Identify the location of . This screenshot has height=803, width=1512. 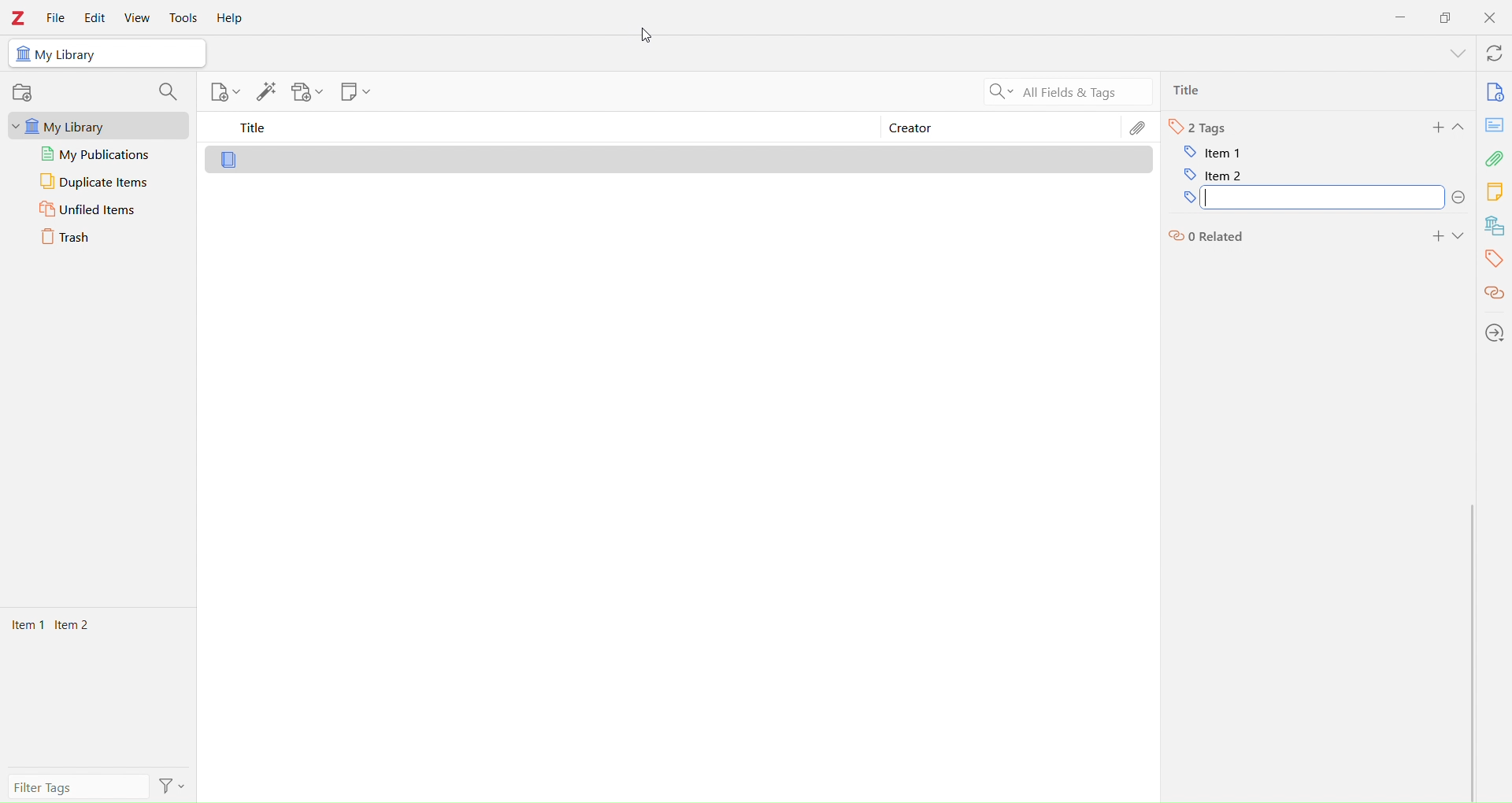
(1436, 128).